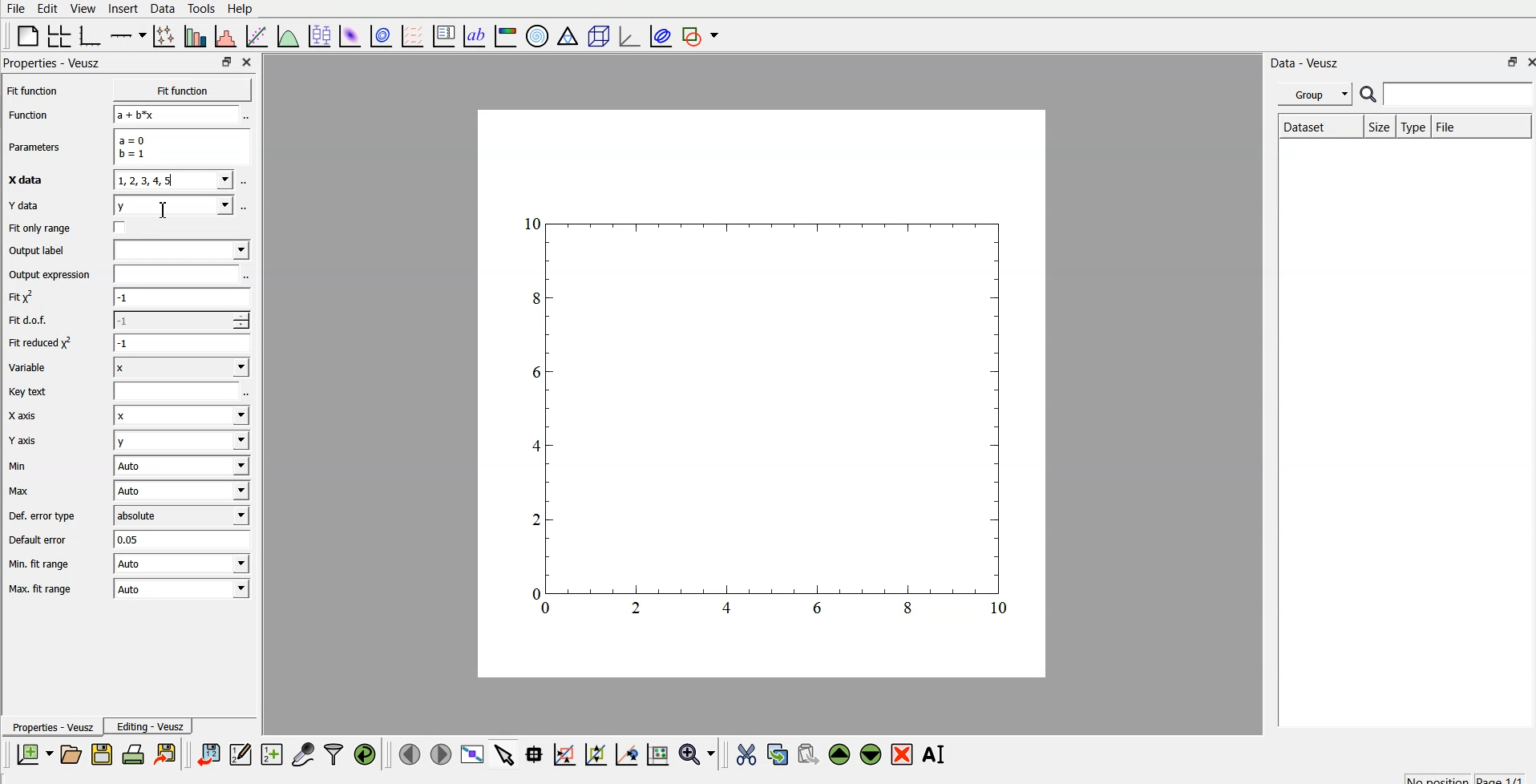  Describe the element at coordinates (59, 34) in the screenshot. I see `arrange graphs in a grid` at that location.